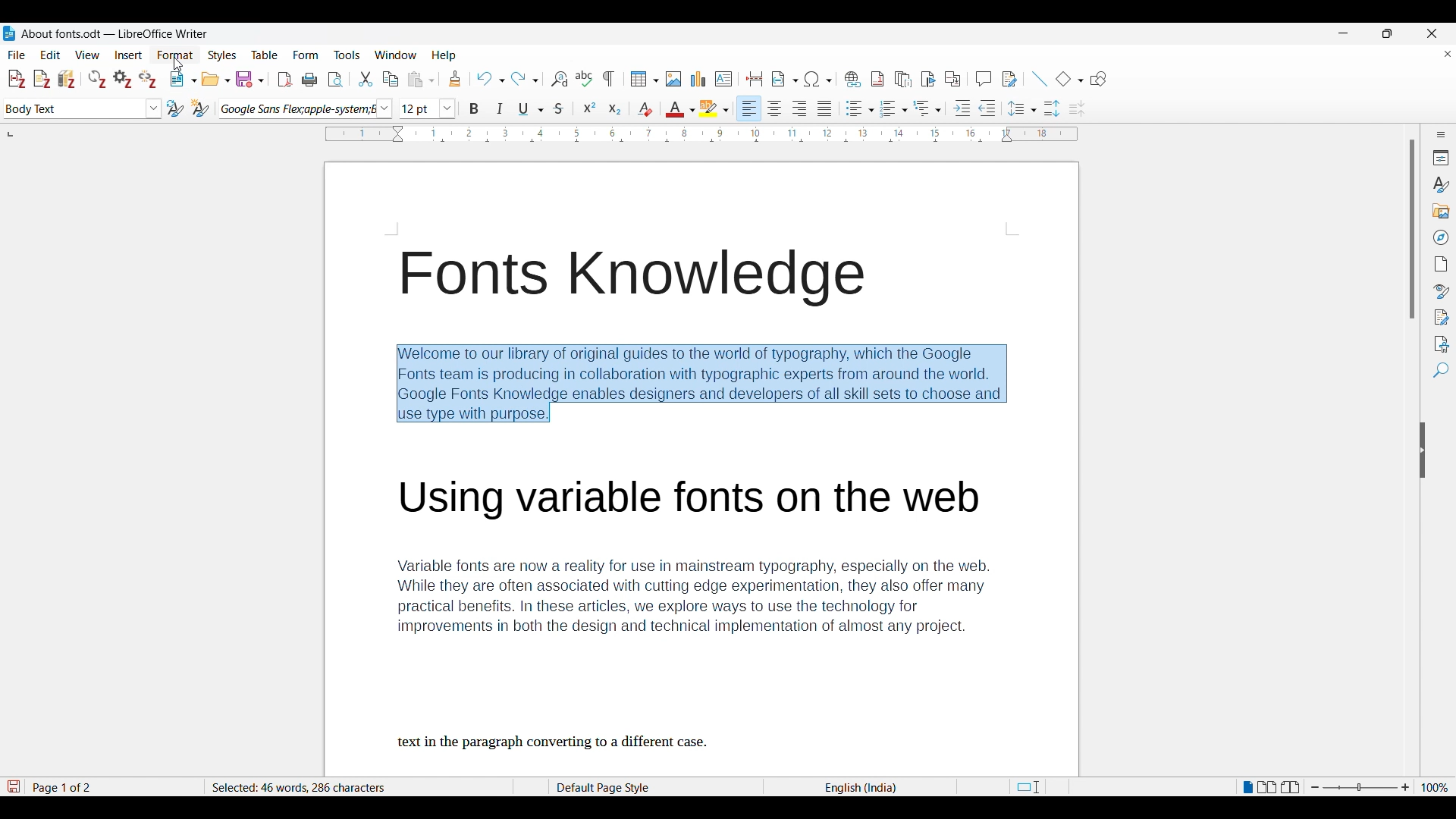 The width and height of the screenshot is (1456, 819). Describe the element at coordinates (1442, 318) in the screenshot. I see `Manage changes` at that location.